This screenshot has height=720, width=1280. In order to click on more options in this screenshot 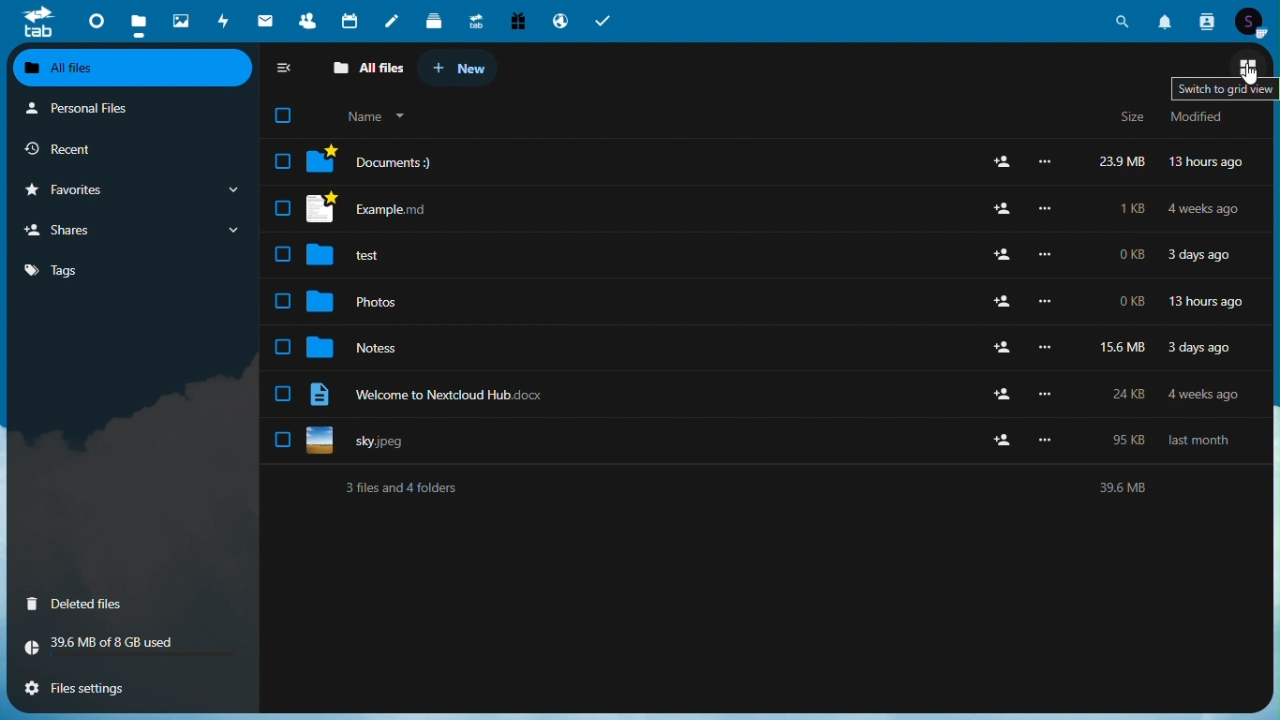, I will do `click(1047, 209)`.